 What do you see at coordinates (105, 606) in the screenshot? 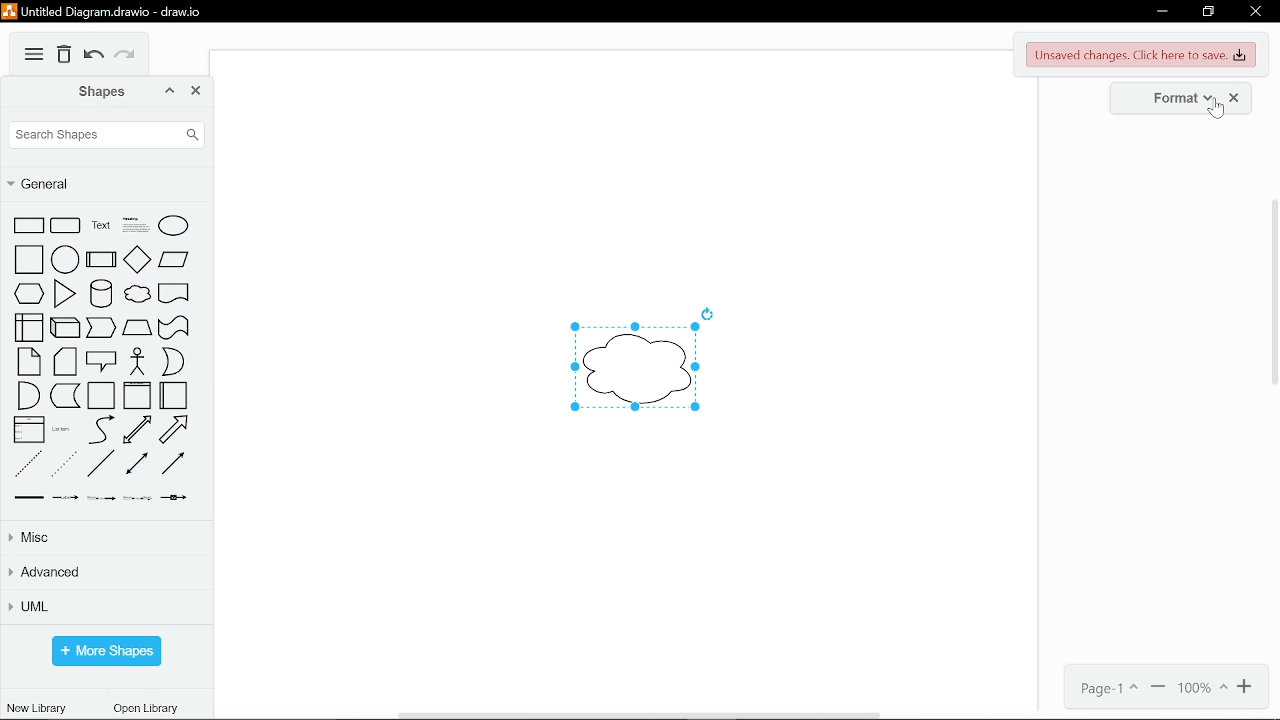
I see `UML` at bounding box center [105, 606].